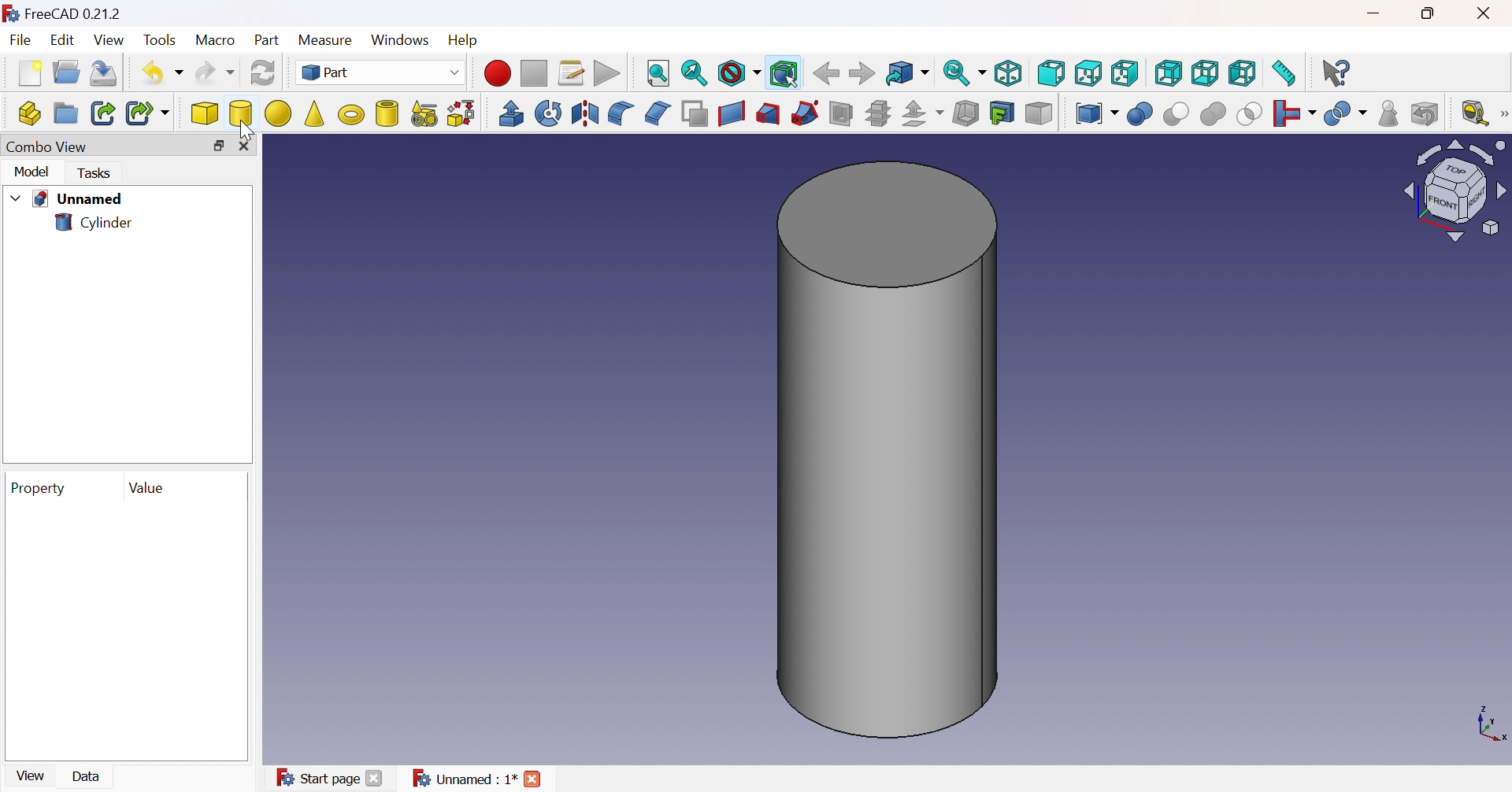  What do you see at coordinates (147, 113) in the screenshot?
I see `Make sub-link` at bounding box center [147, 113].